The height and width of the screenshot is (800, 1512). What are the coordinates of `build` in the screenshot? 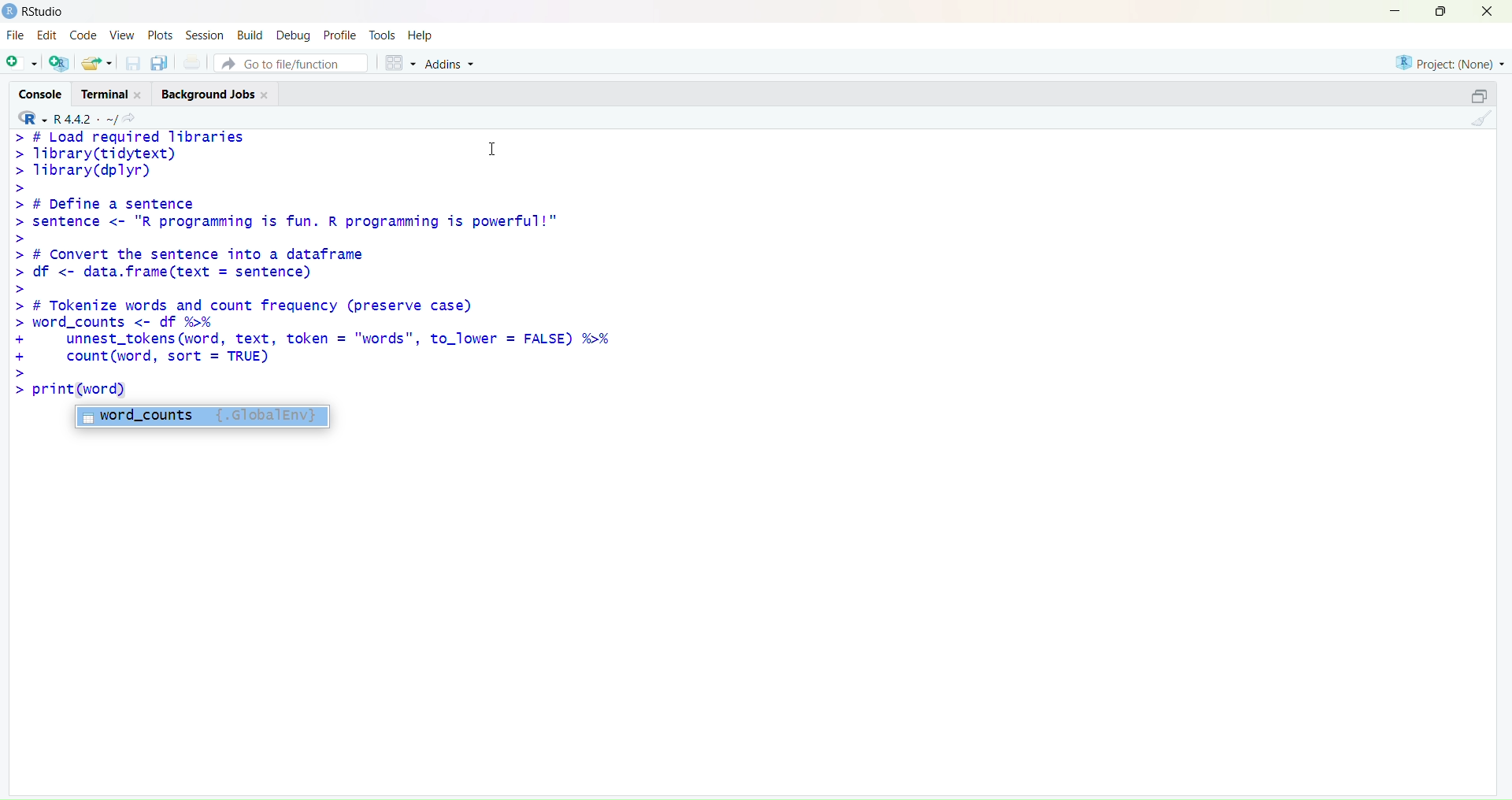 It's located at (251, 35).